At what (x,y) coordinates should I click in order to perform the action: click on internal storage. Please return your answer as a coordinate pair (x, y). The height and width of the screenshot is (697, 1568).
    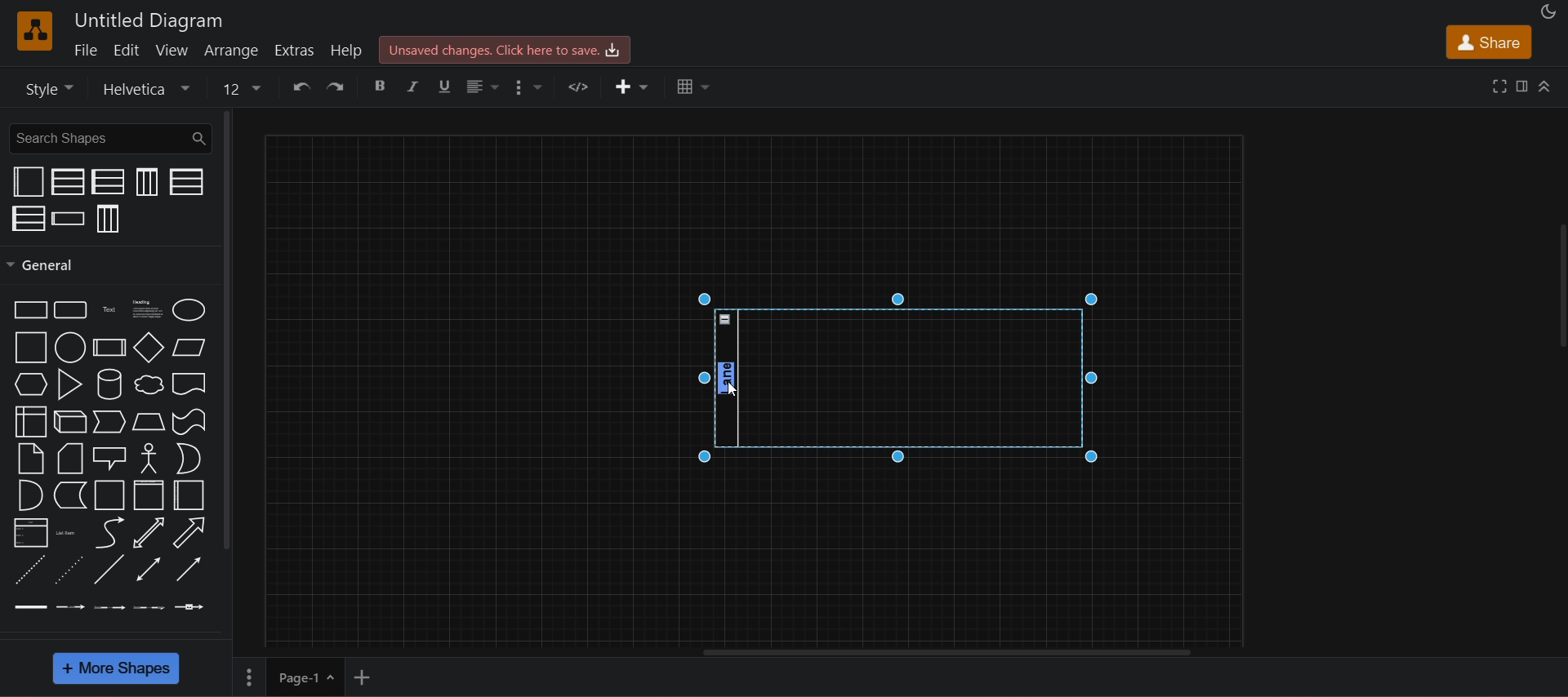
    Looking at the image, I should click on (33, 422).